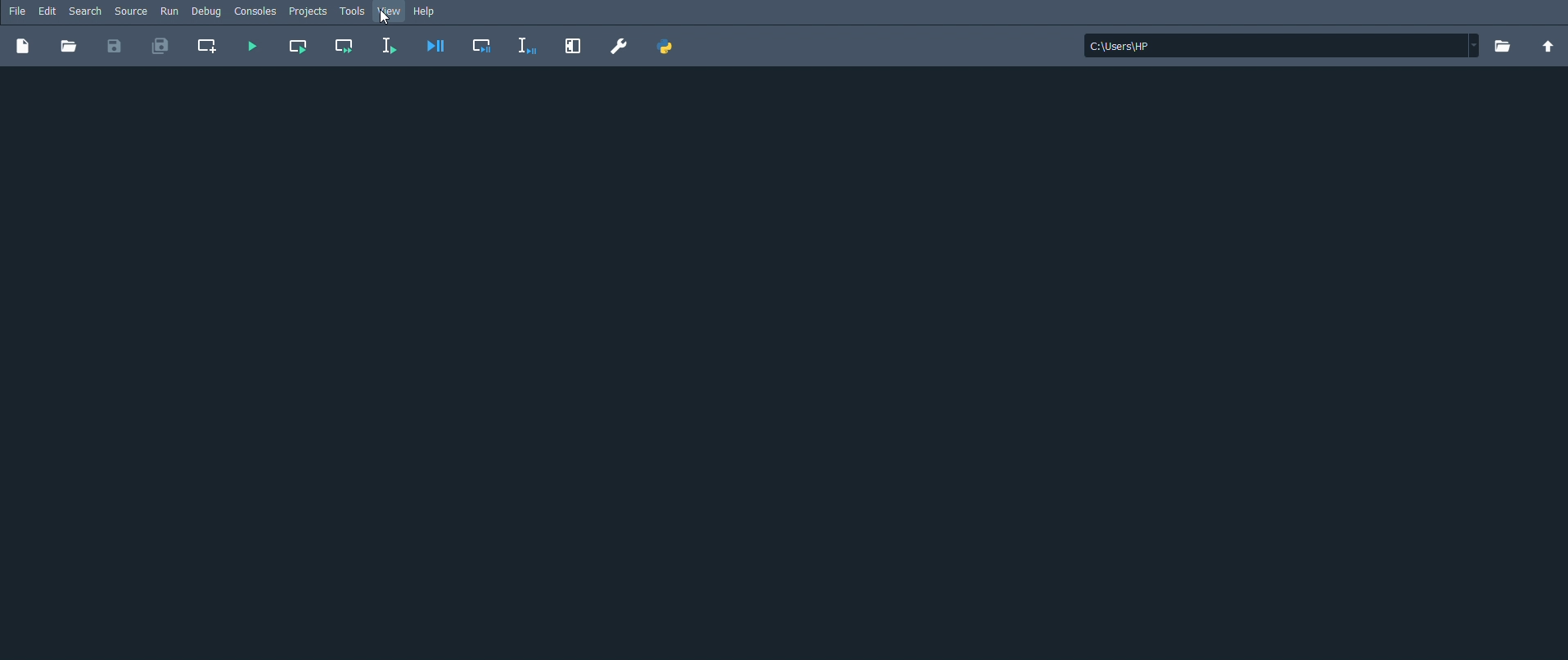 The width and height of the screenshot is (1568, 660). What do you see at coordinates (113, 47) in the screenshot?
I see `Save file` at bounding box center [113, 47].